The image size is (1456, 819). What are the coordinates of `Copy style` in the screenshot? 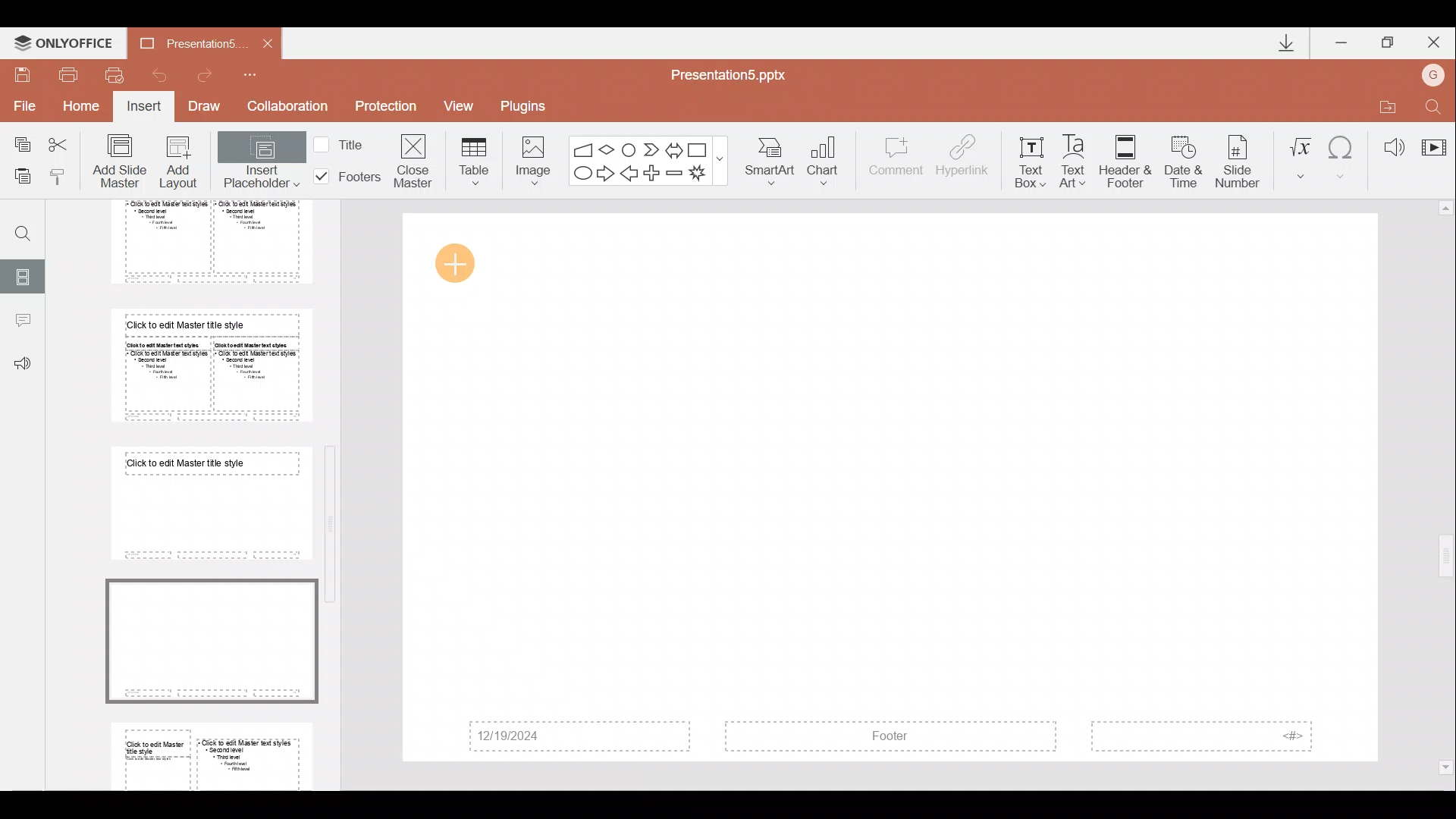 It's located at (64, 176).